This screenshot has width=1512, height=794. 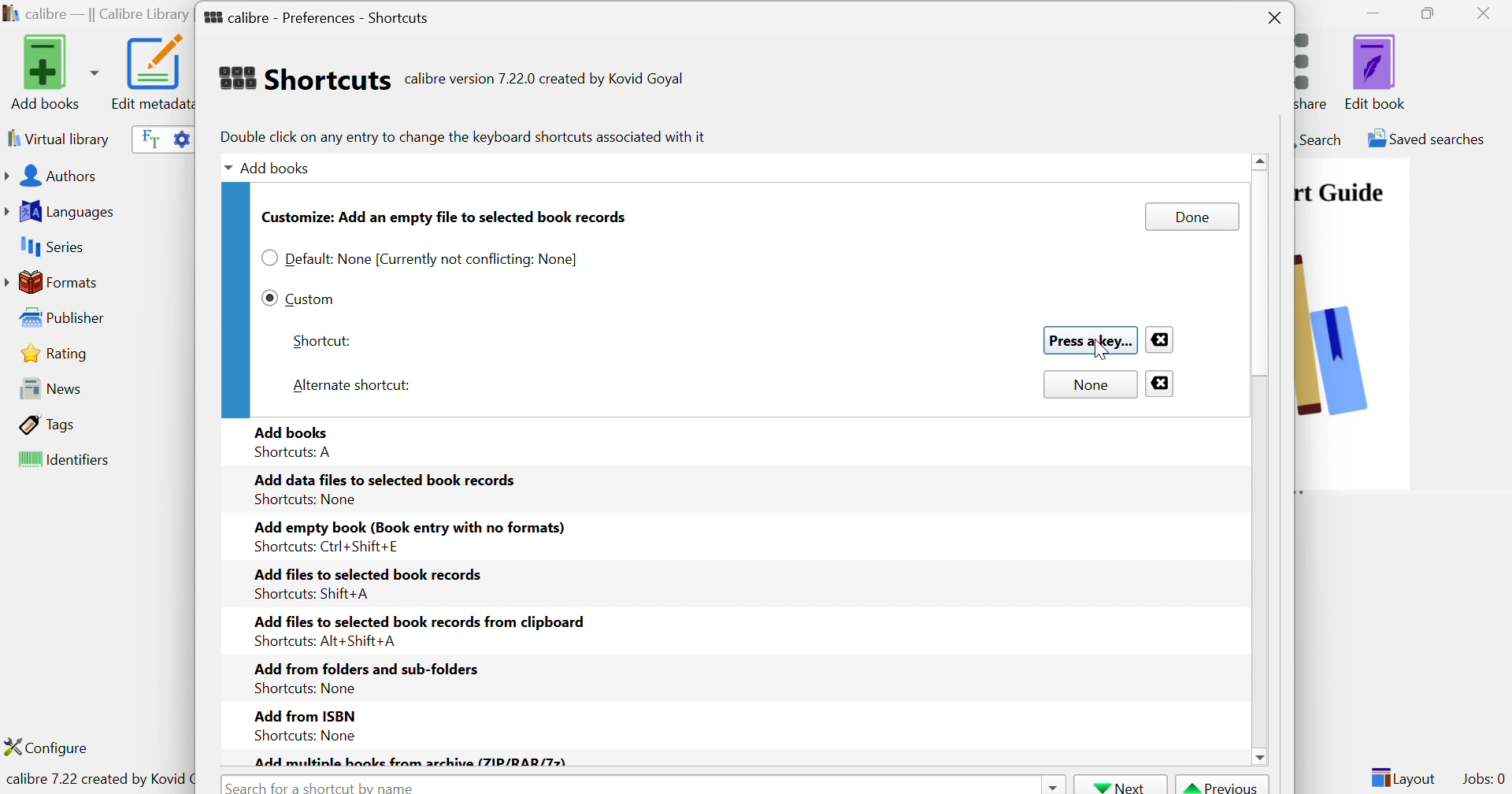 I want to click on Close, so click(x=1275, y=19).